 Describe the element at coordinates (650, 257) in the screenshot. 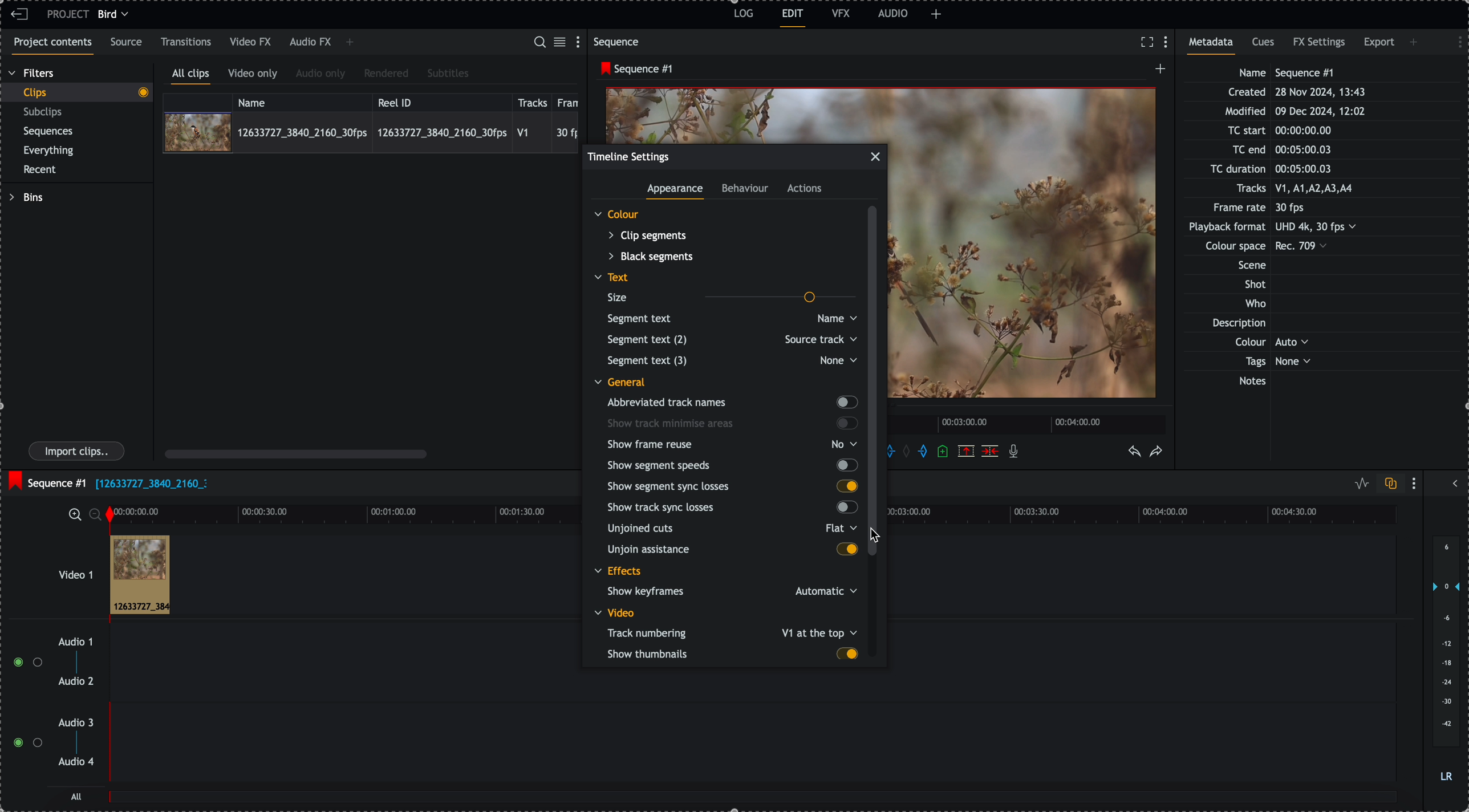

I see `black segments` at that location.